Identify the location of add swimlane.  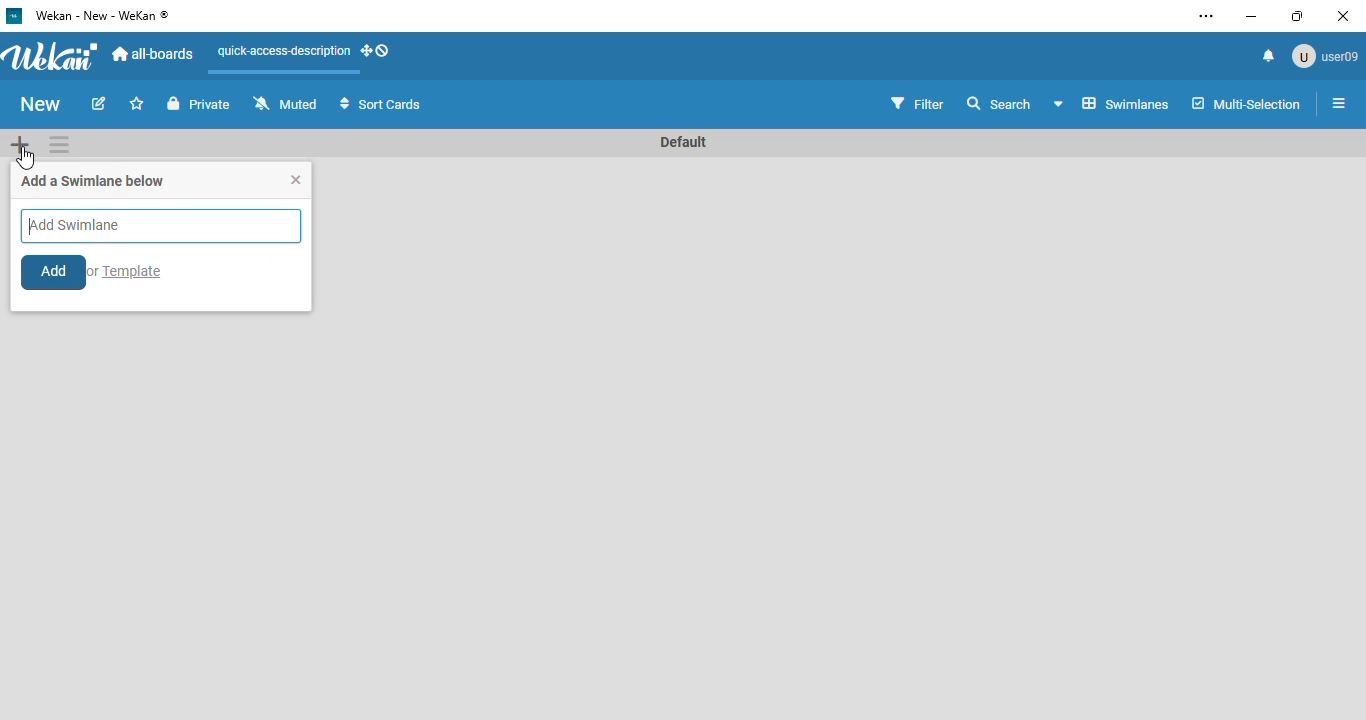
(161, 226).